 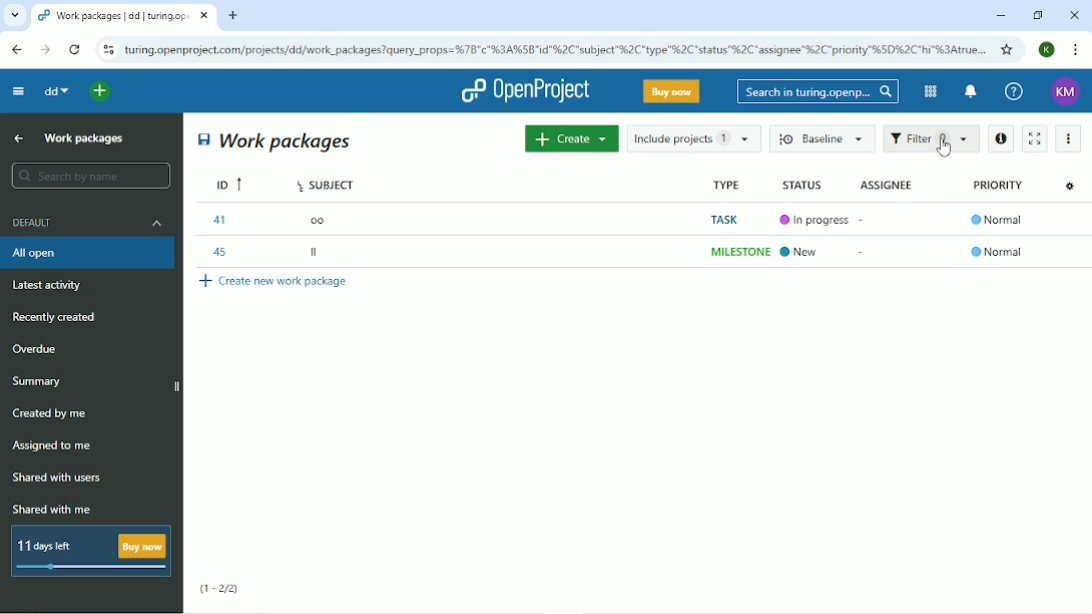 I want to click on Bookmark this tab, so click(x=1007, y=49).